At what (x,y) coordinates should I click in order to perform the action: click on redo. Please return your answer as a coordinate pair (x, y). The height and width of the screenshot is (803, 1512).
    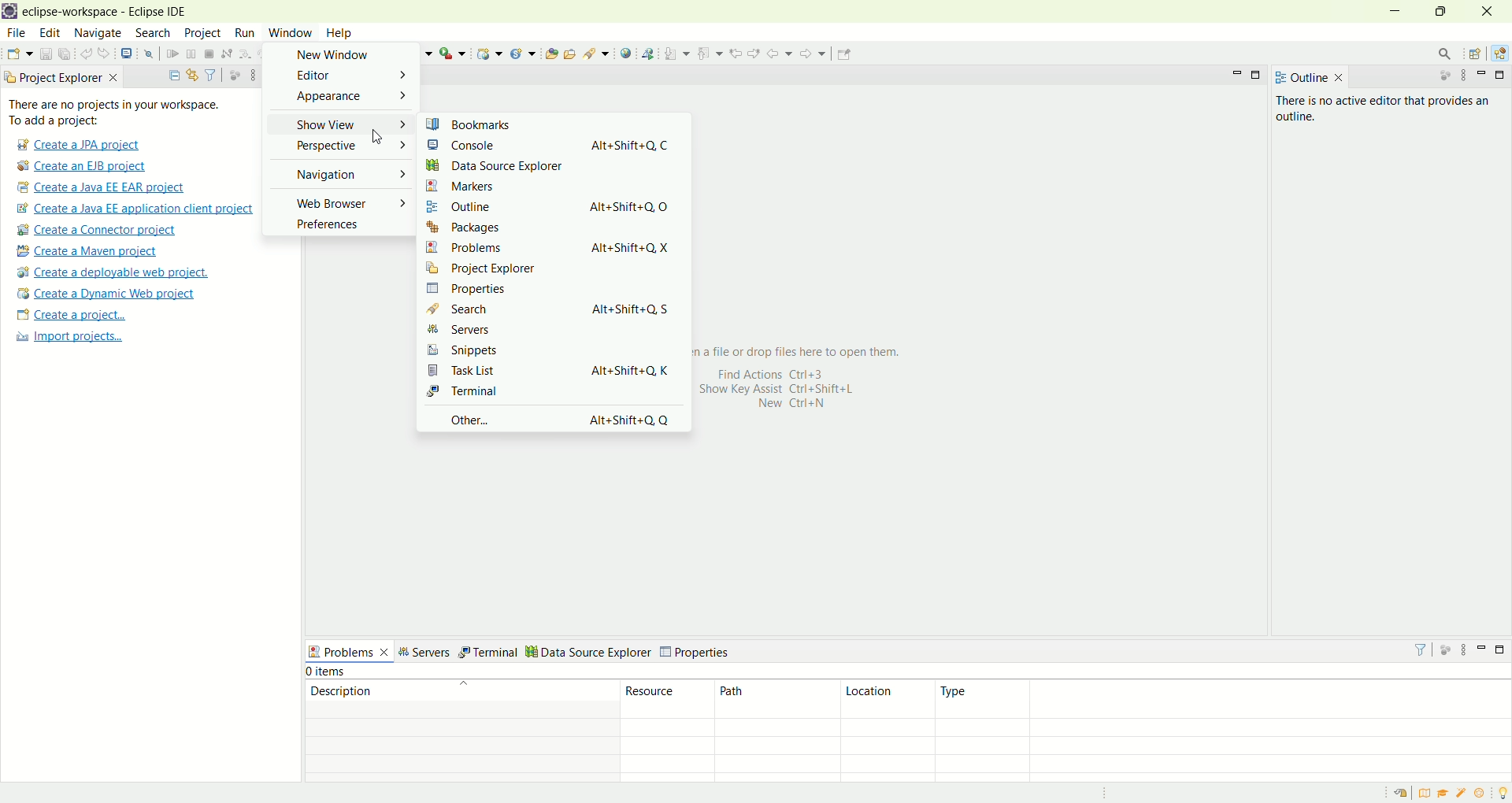
    Looking at the image, I should click on (104, 53).